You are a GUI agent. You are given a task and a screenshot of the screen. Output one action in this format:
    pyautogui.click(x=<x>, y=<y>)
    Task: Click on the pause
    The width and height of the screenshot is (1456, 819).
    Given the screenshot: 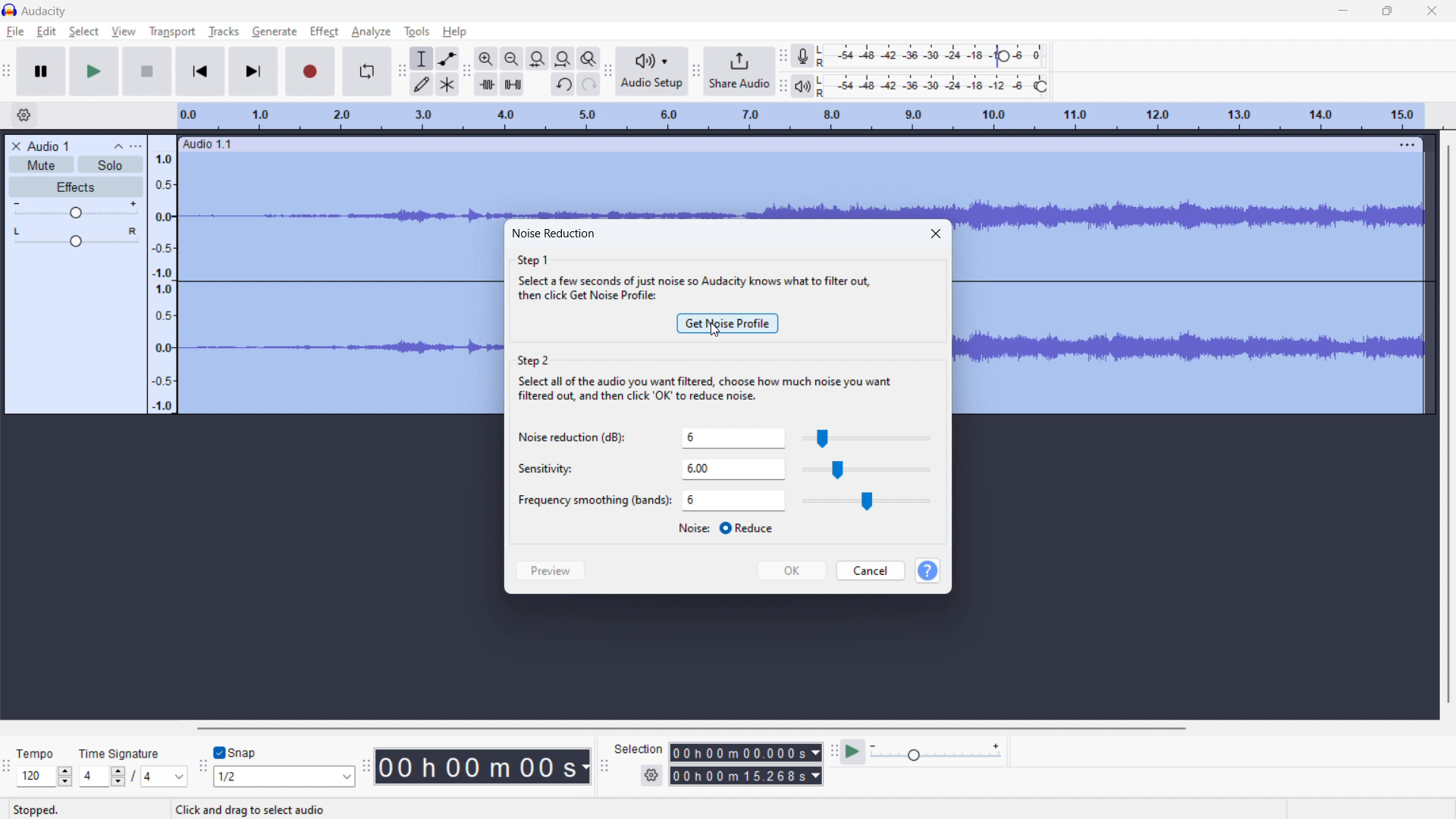 What is the action you would take?
    pyautogui.click(x=41, y=72)
    